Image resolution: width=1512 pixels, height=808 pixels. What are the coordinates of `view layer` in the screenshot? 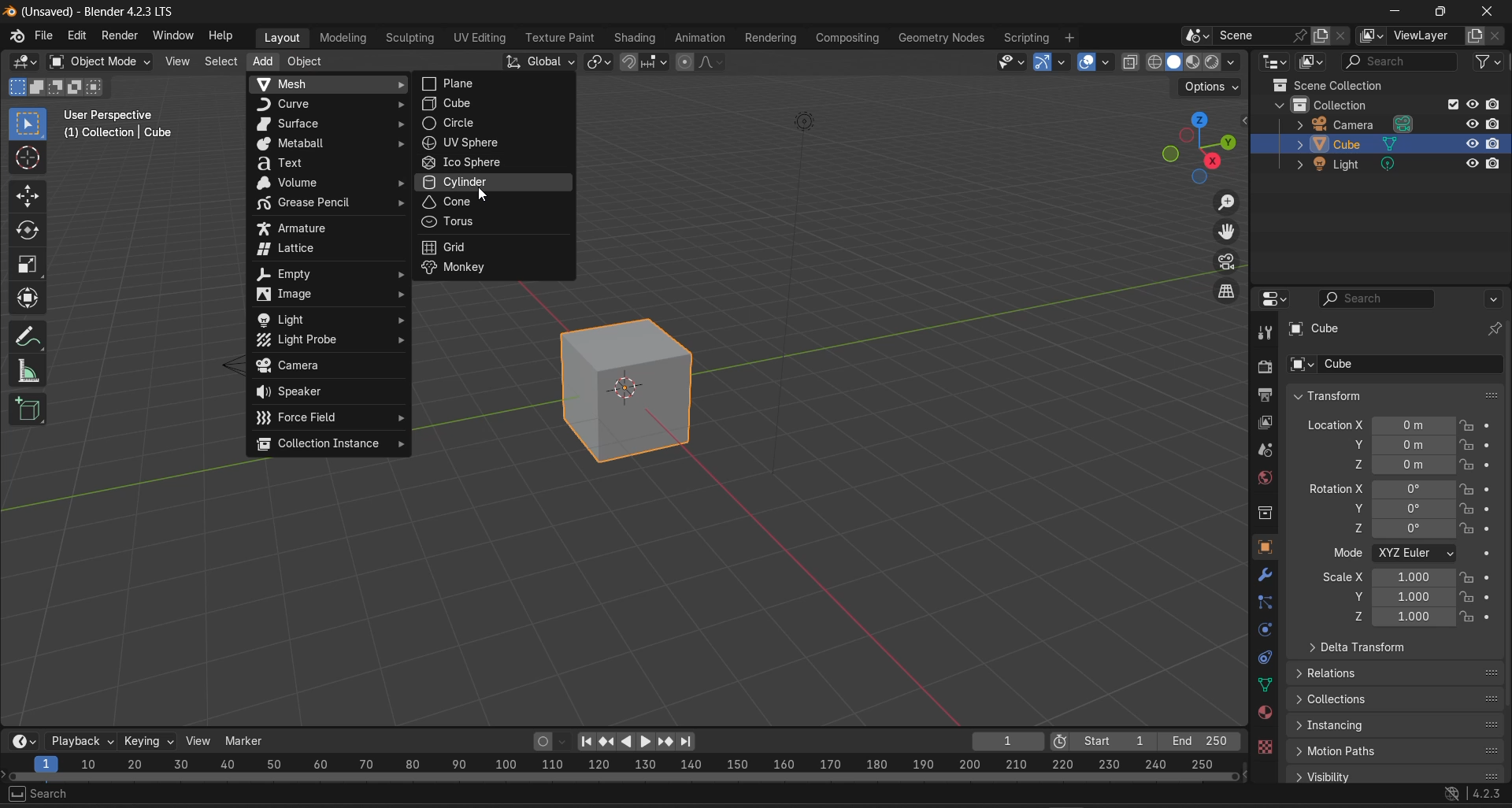 It's located at (1265, 422).